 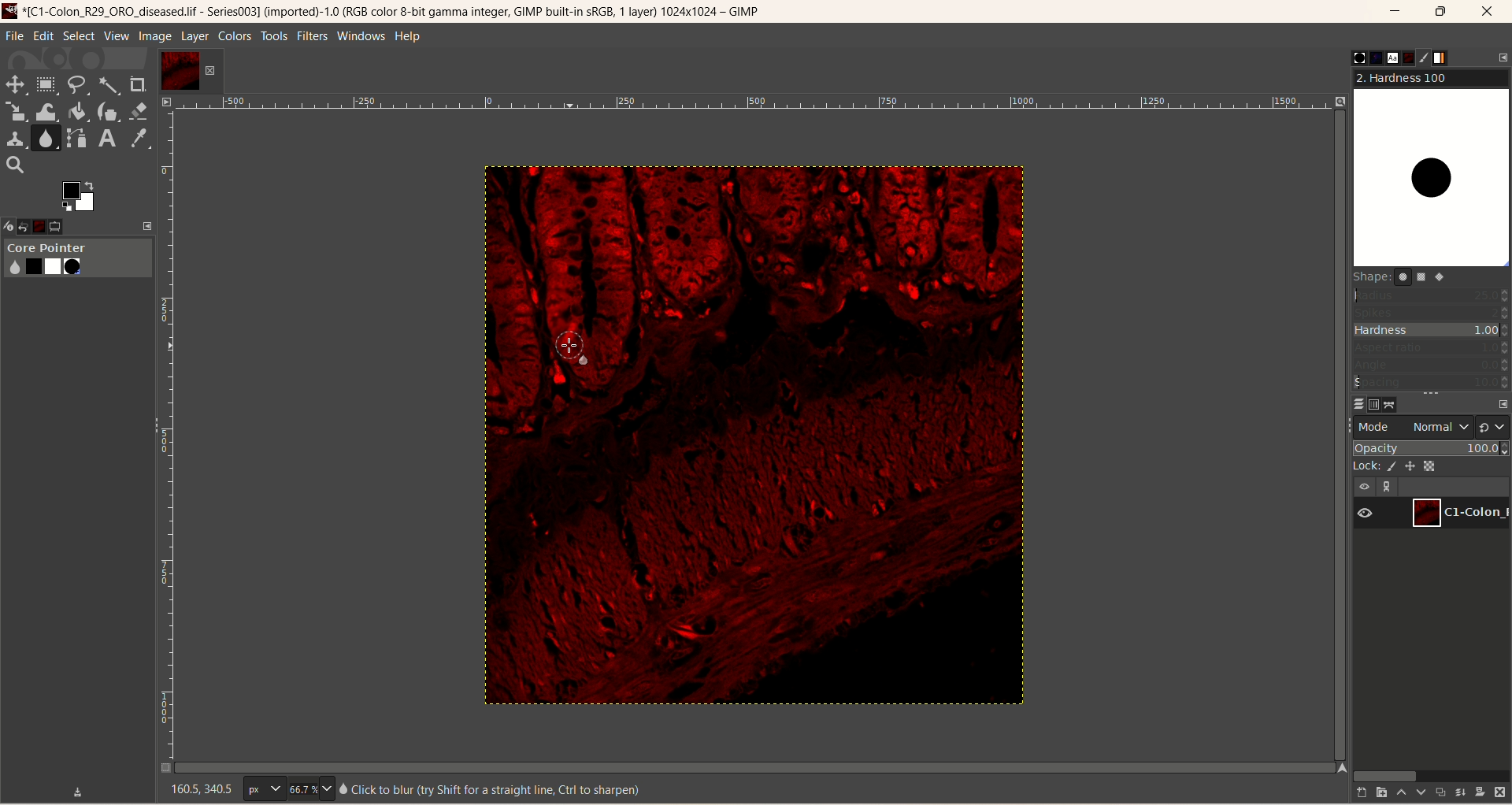 What do you see at coordinates (1386, 57) in the screenshot?
I see `fonts` at bounding box center [1386, 57].